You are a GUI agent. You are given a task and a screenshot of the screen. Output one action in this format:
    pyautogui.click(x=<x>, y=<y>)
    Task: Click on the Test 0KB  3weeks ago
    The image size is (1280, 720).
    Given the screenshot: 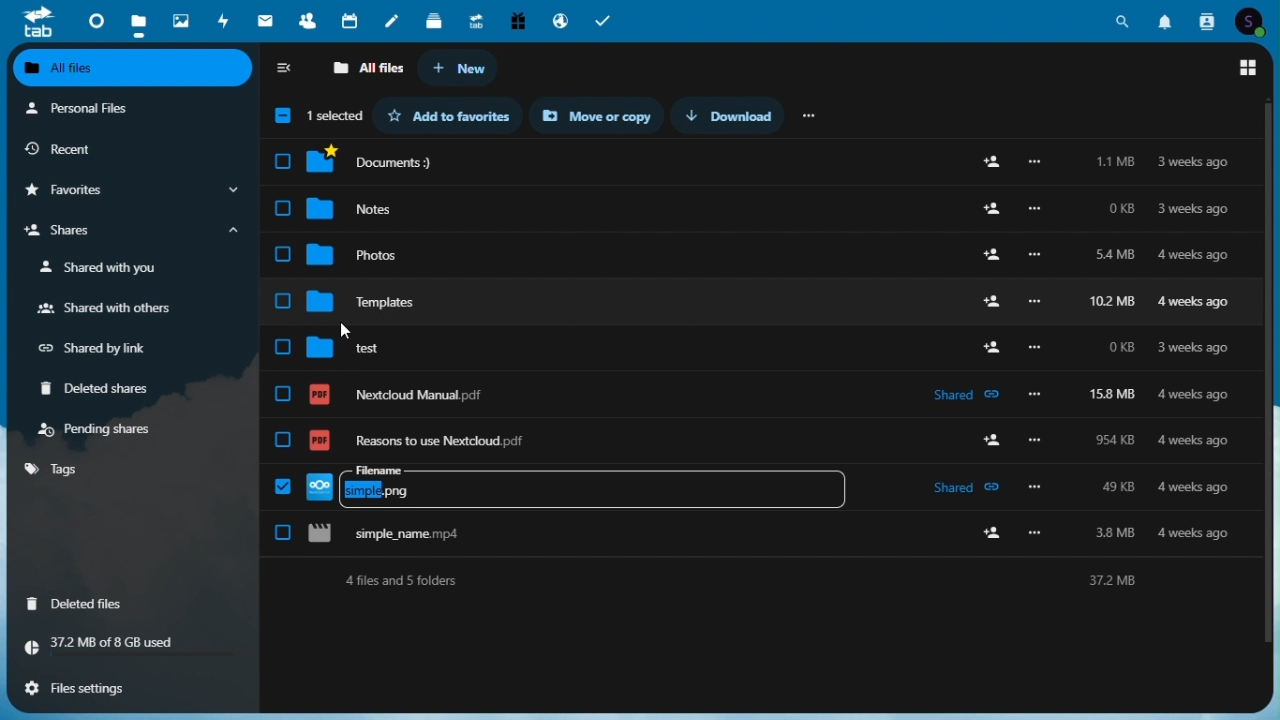 What is the action you would take?
    pyautogui.click(x=760, y=339)
    